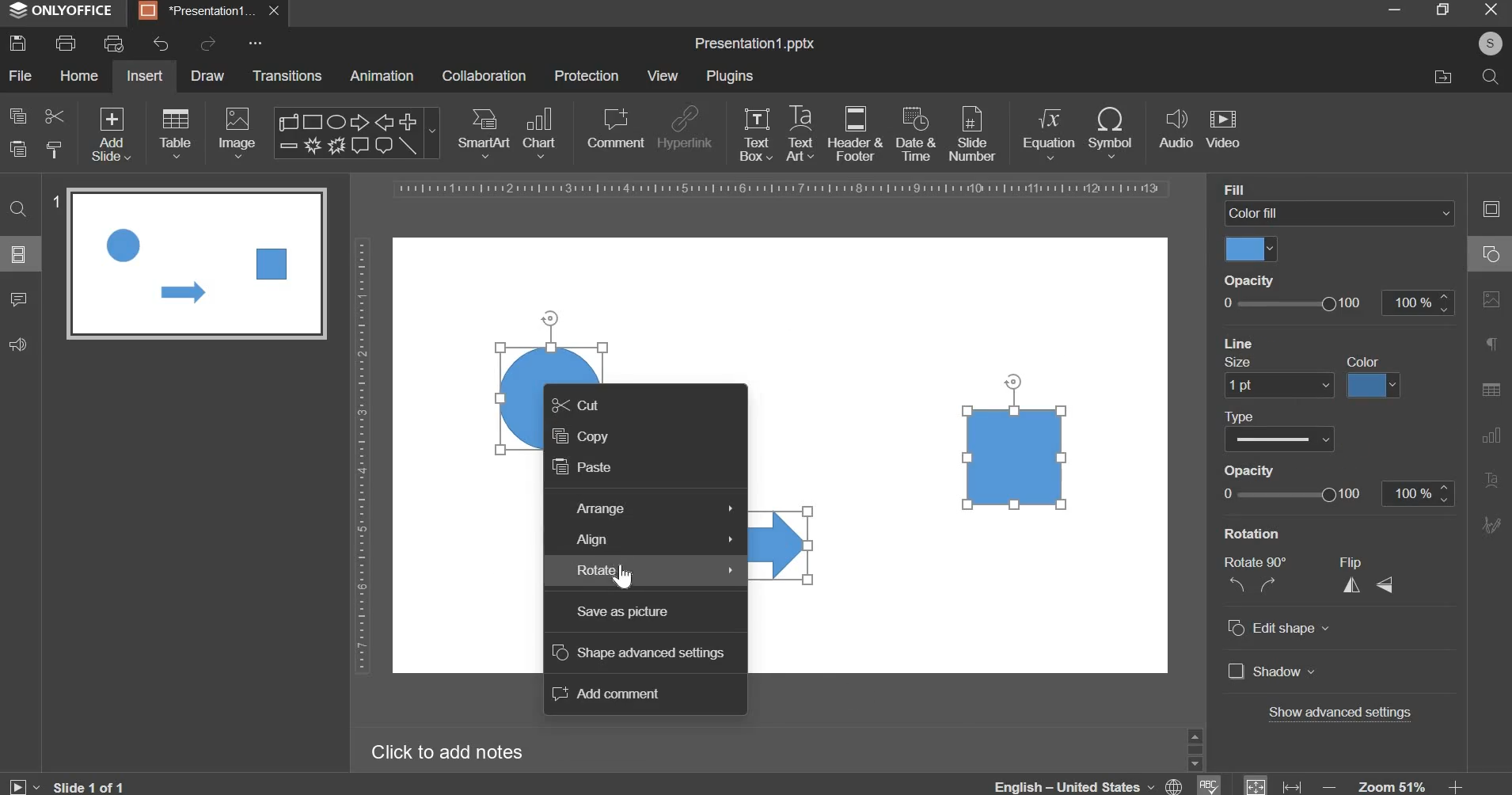 This screenshot has width=1512, height=795. Describe the element at coordinates (1492, 252) in the screenshot. I see `shape setting` at that location.